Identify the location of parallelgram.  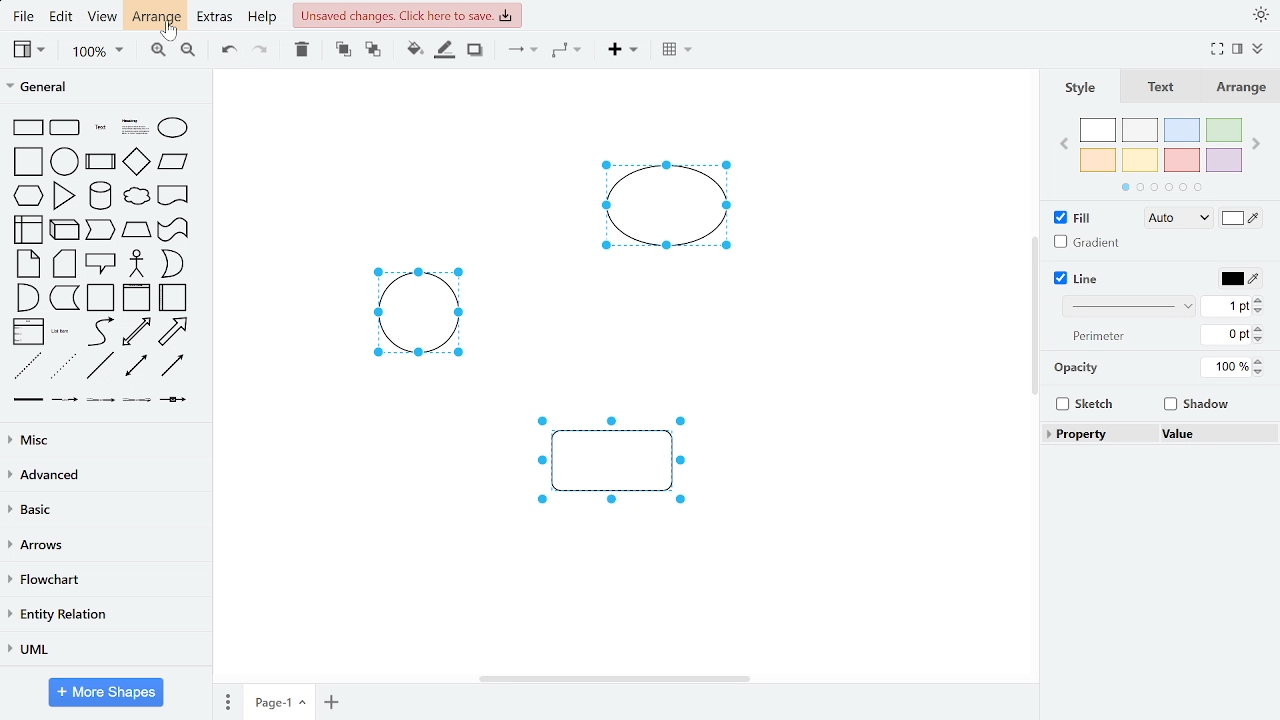
(174, 162).